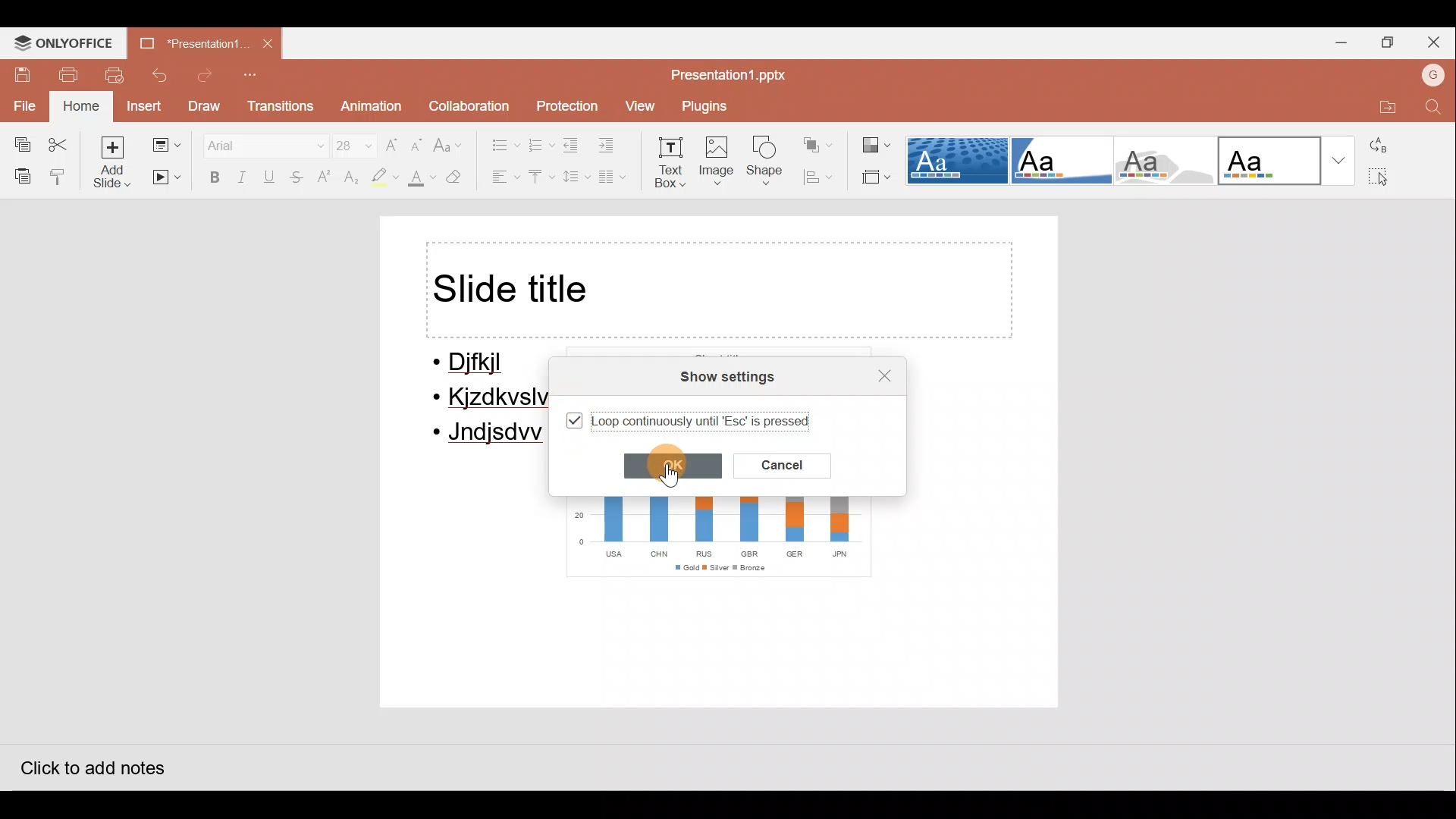 The image size is (1456, 819). Describe the element at coordinates (385, 177) in the screenshot. I see `Highlight colour` at that location.